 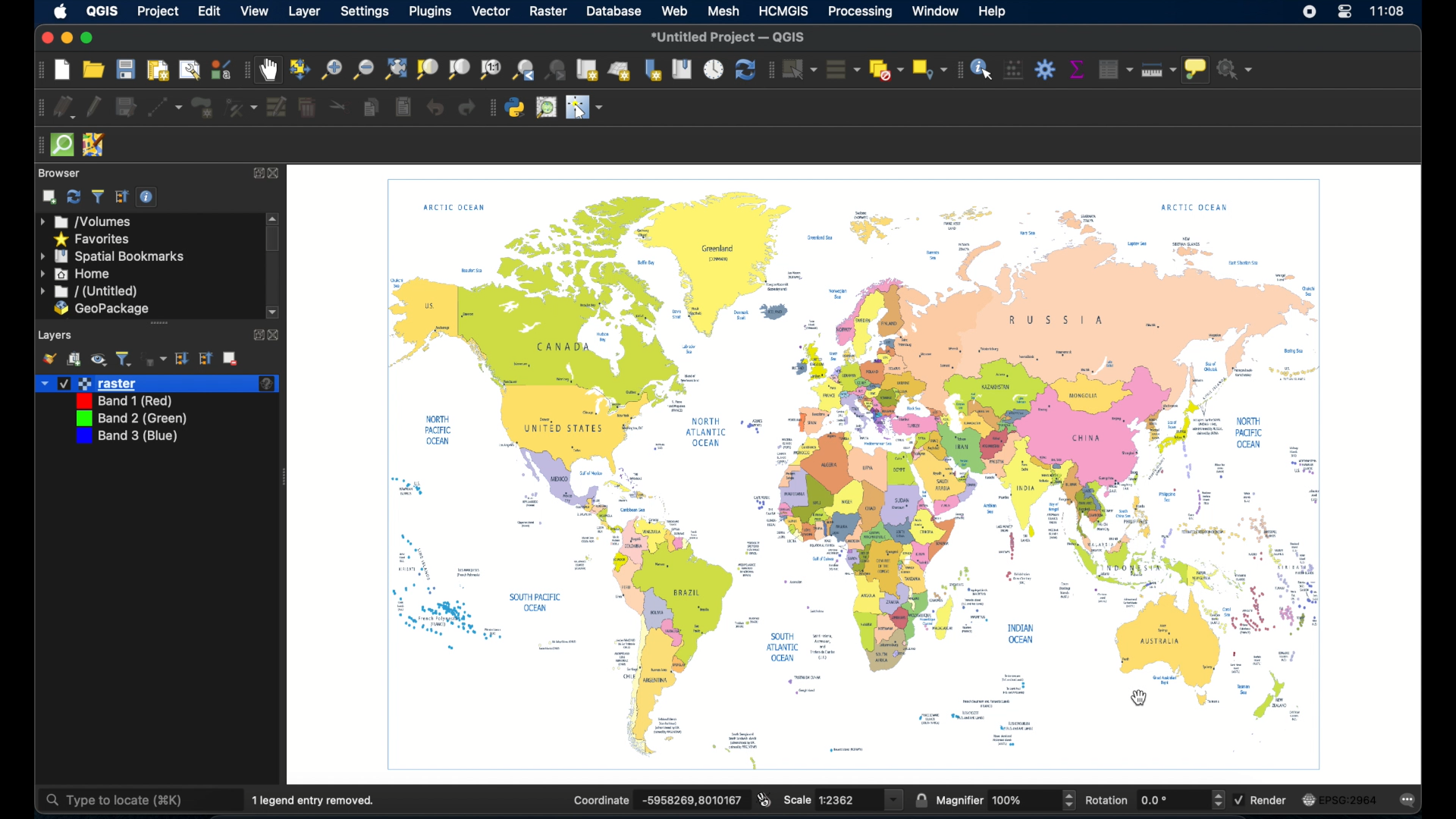 I want to click on python console, so click(x=515, y=108).